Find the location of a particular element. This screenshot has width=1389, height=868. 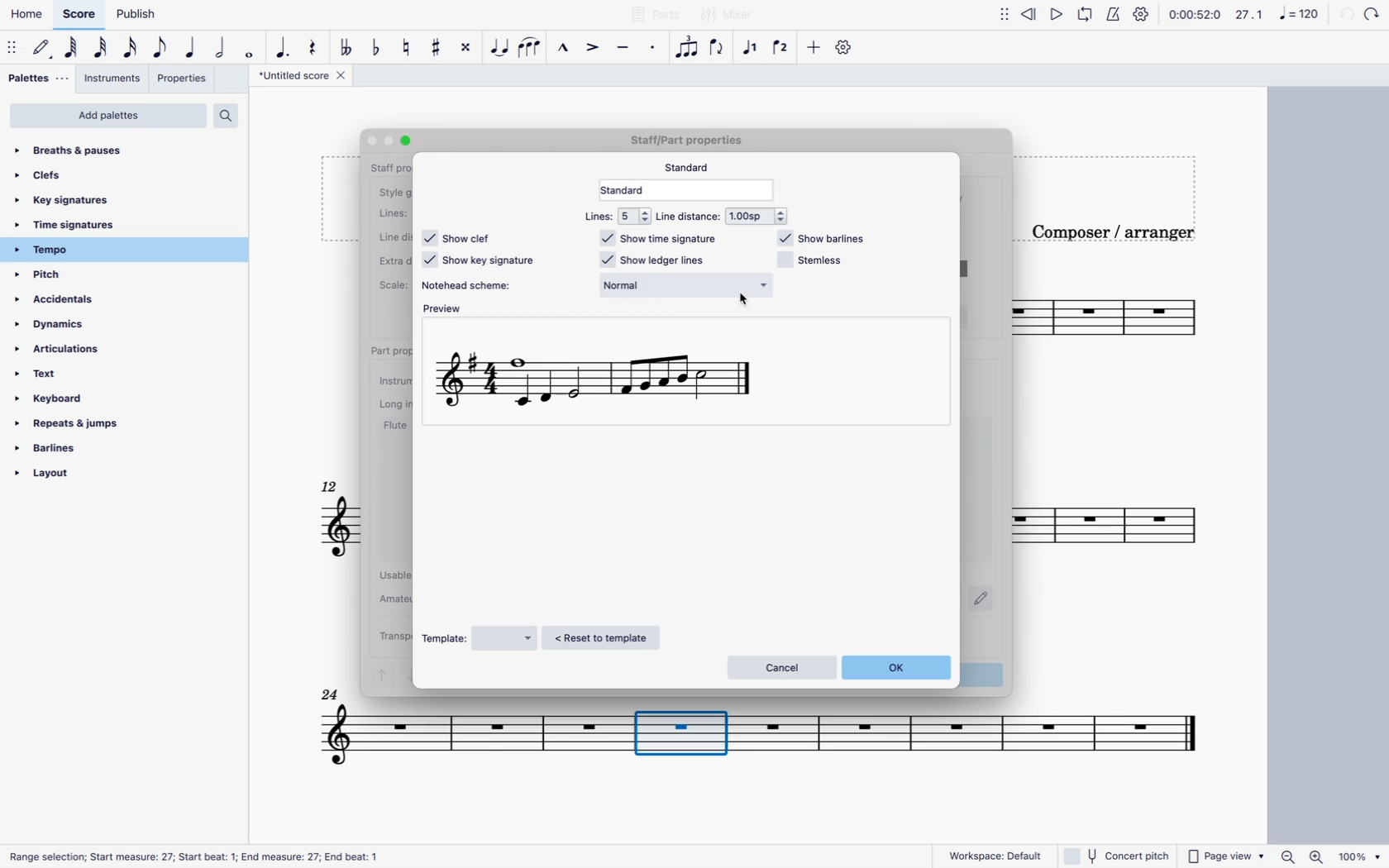

notehead style is located at coordinates (680, 289).